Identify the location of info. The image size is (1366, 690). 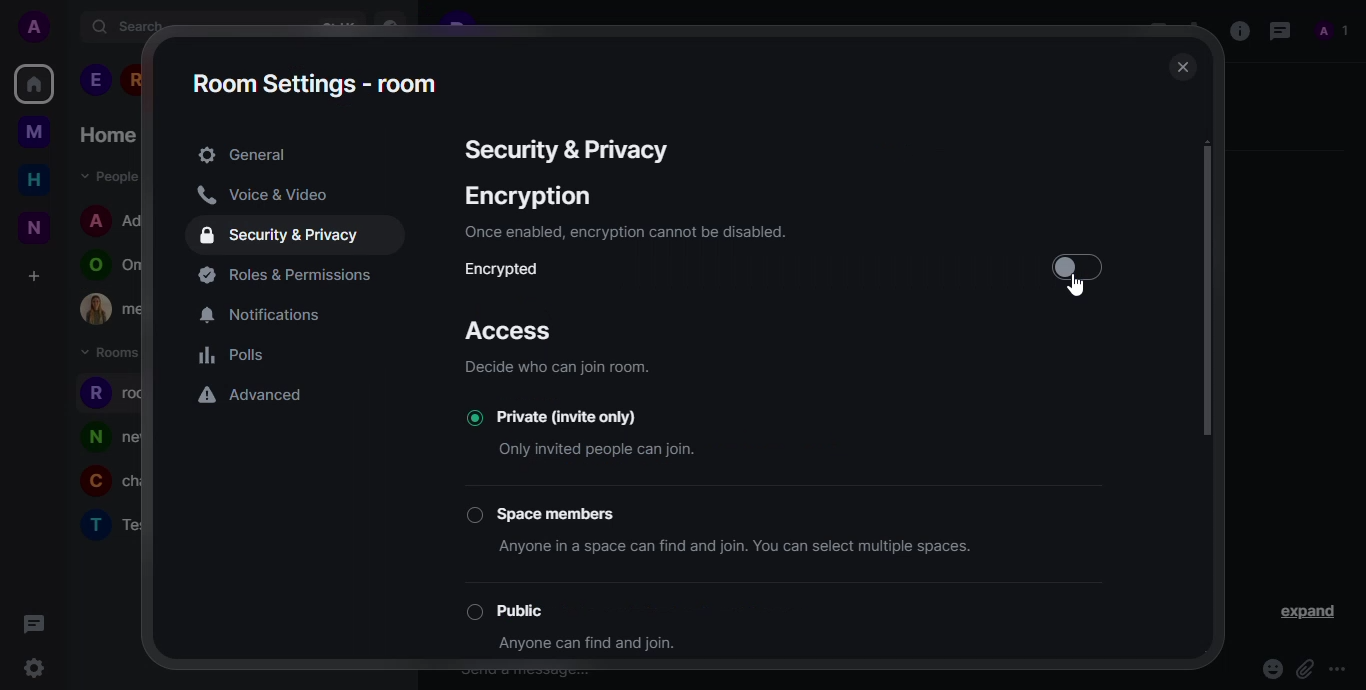
(1238, 29).